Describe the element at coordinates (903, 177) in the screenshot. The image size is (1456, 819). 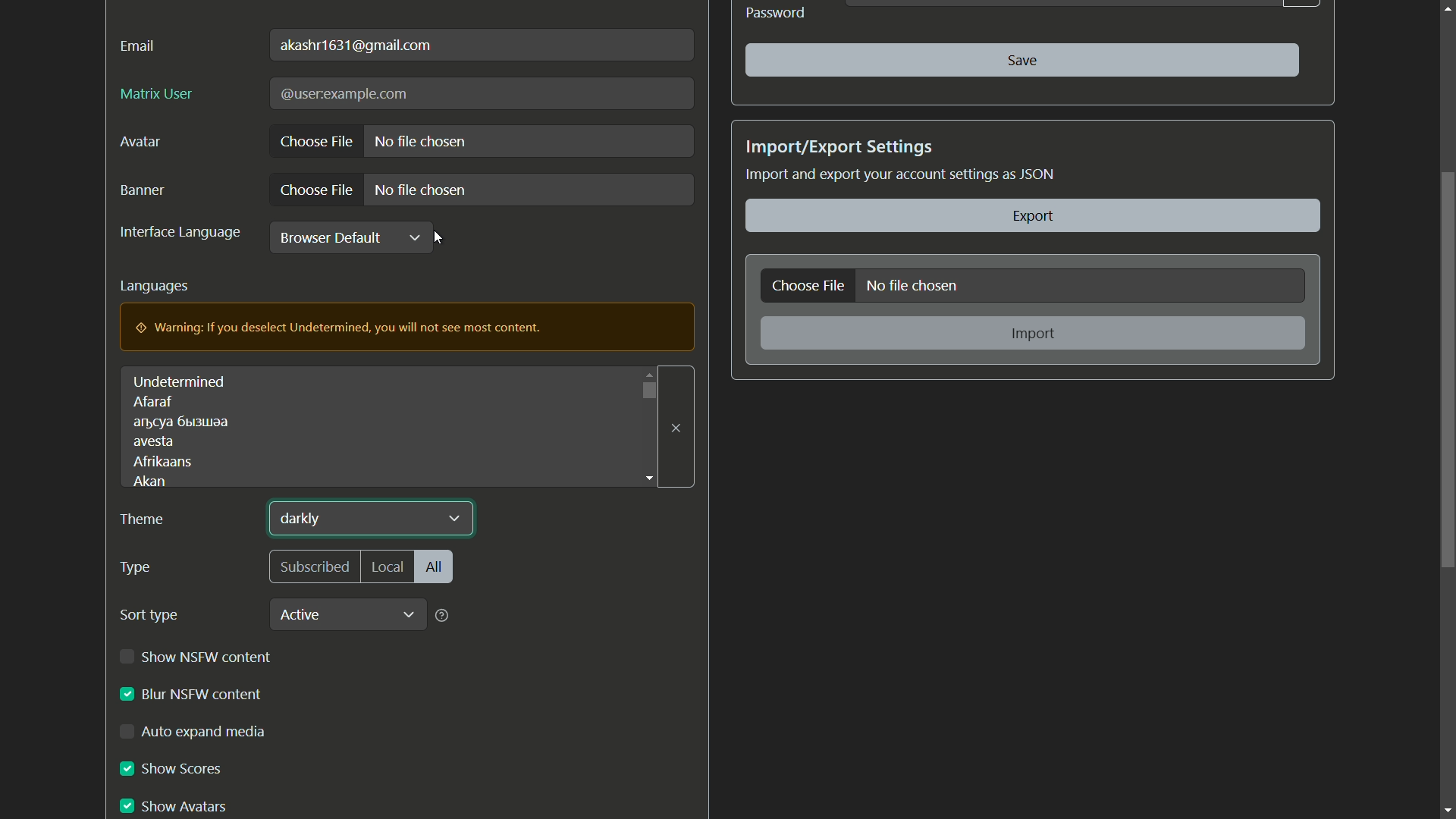
I see `Import and export your account settings as JSON` at that location.